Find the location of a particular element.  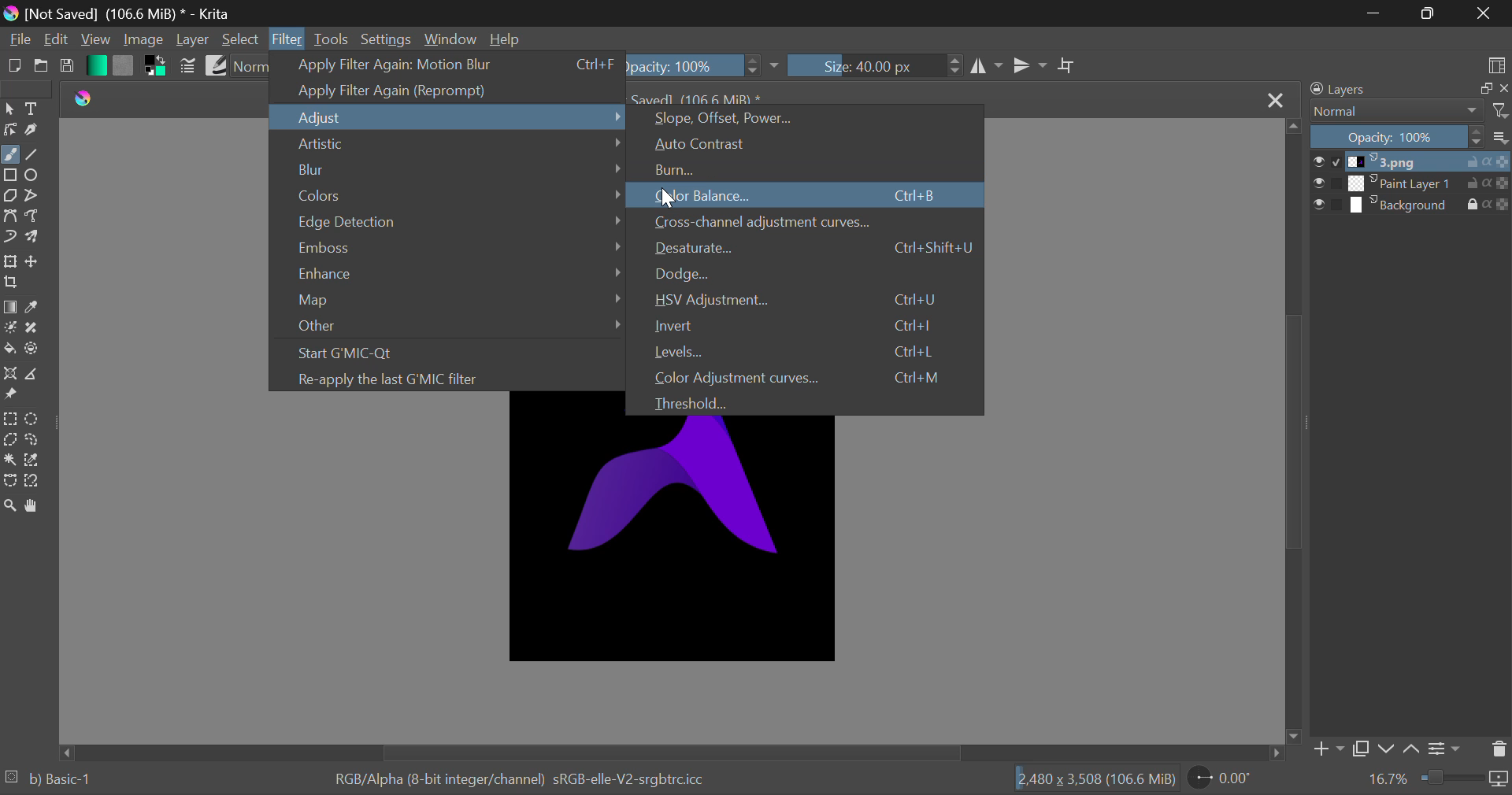

Opacity 100% is located at coordinates (1398, 137).